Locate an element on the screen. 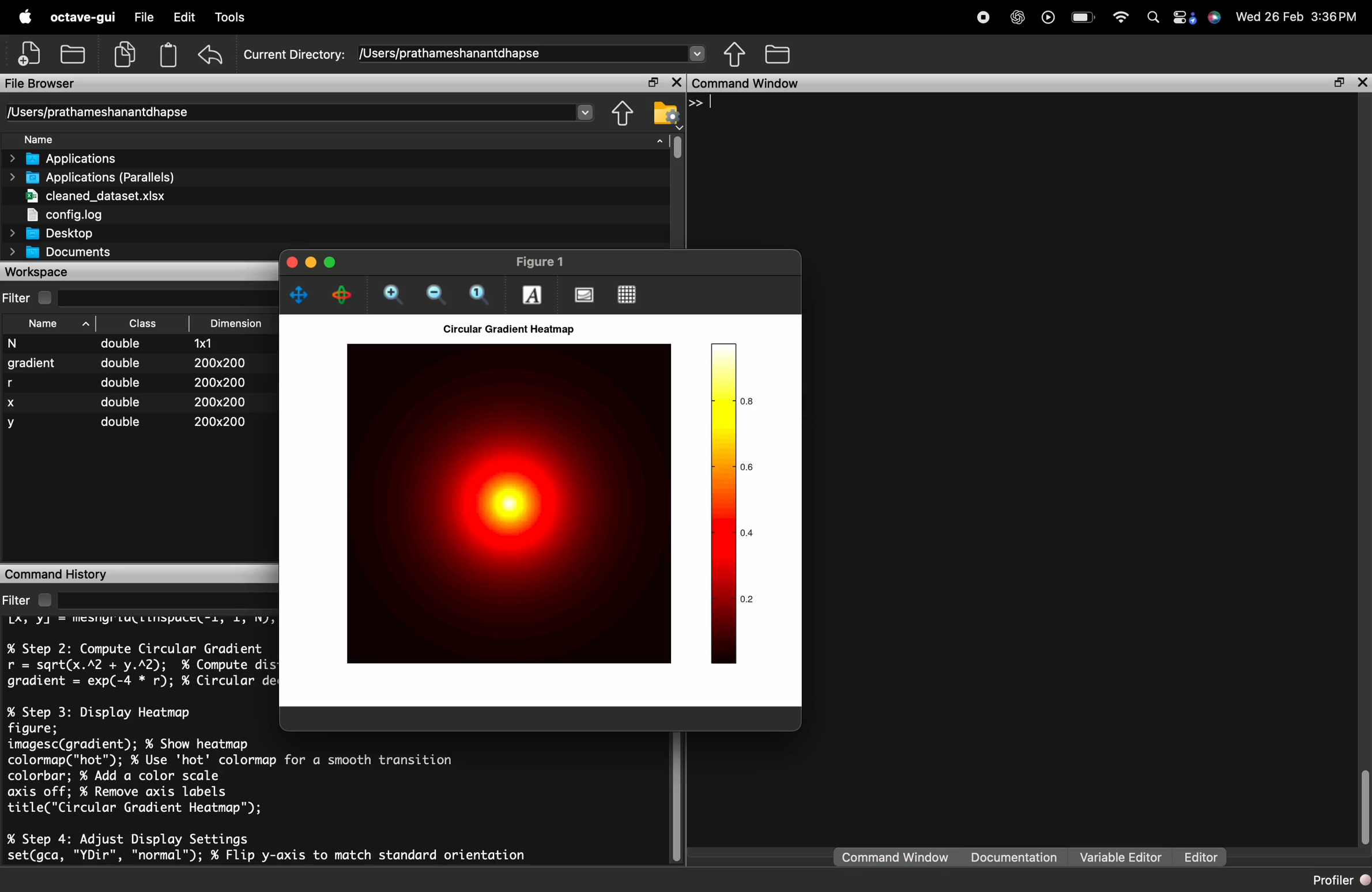 This screenshot has height=892, width=1372. close is located at coordinates (291, 264).